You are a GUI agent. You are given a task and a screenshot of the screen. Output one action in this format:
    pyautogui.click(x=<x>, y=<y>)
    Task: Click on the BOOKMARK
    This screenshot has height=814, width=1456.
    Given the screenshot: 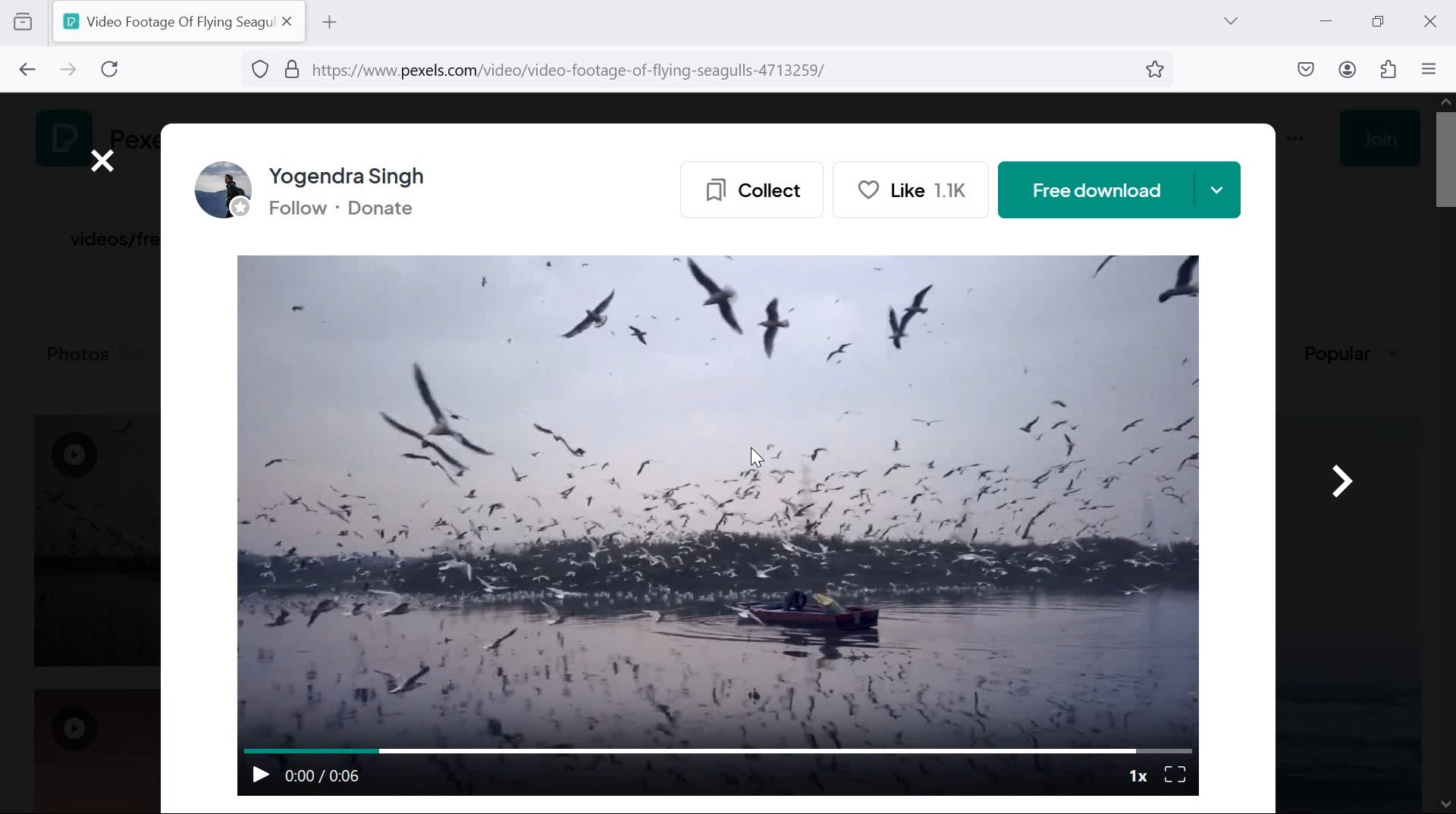 What is the action you would take?
    pyautogui.click(x=1156, y=71)
    